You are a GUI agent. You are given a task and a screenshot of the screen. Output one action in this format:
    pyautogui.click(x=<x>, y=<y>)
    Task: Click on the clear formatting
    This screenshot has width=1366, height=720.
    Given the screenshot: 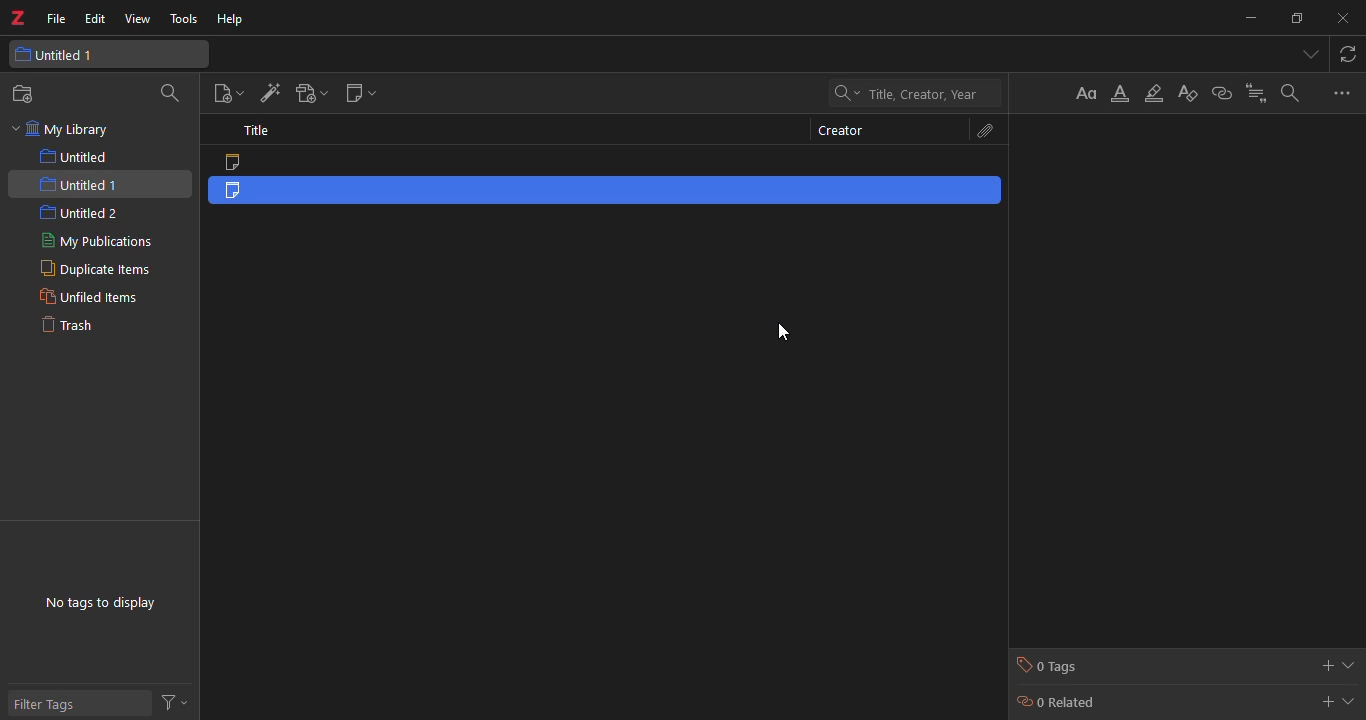 What is the action you would take?
    pyautogui.click(x=1186, y=89)
    